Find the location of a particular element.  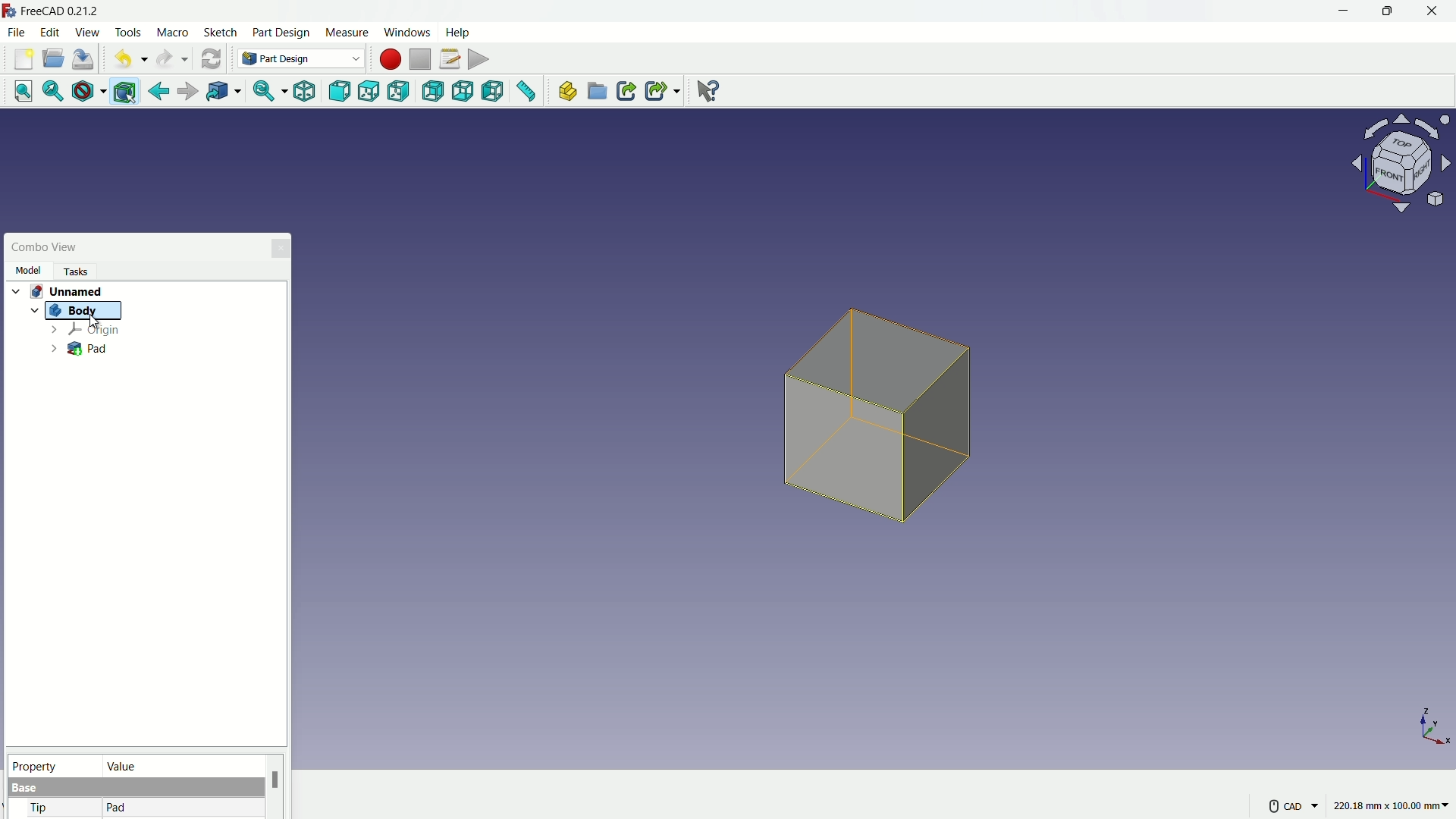

close app is located at coordinates (1433, 11).